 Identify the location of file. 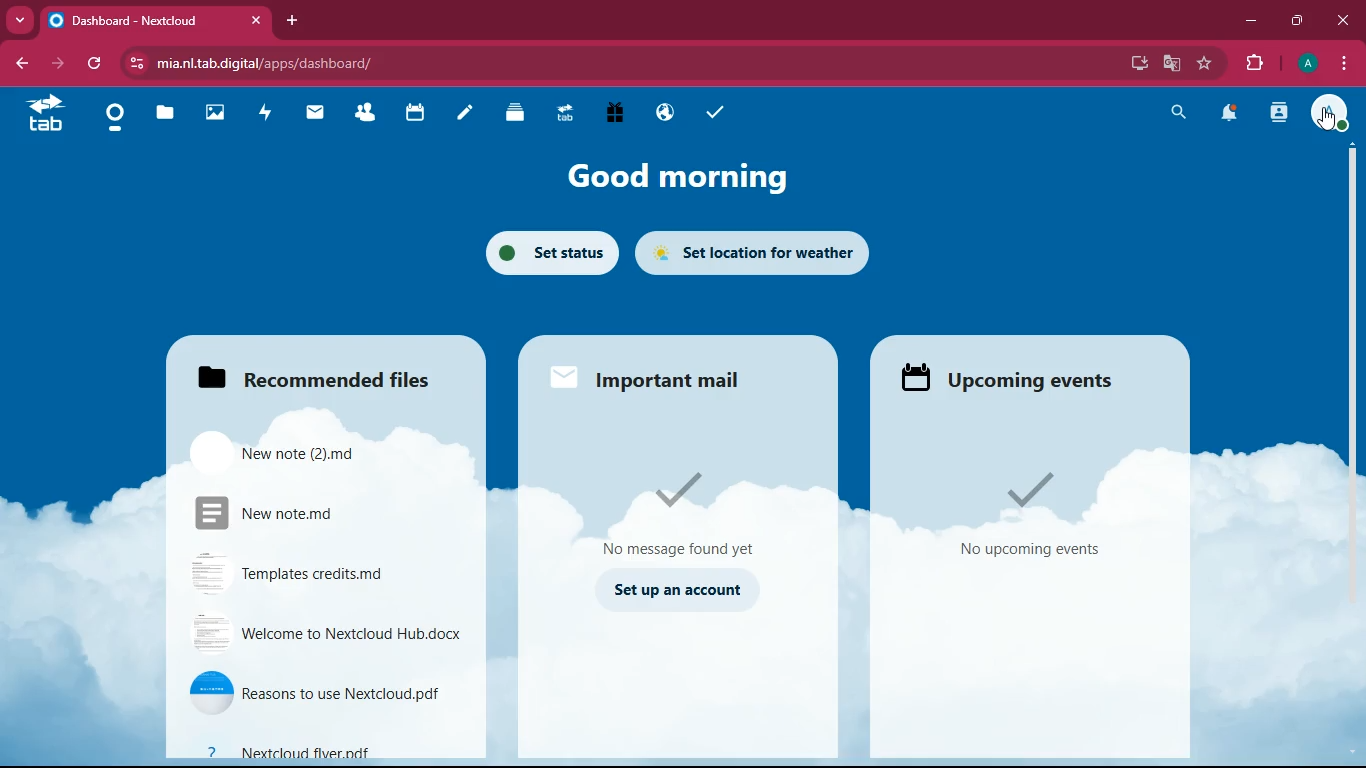
(316, 747).